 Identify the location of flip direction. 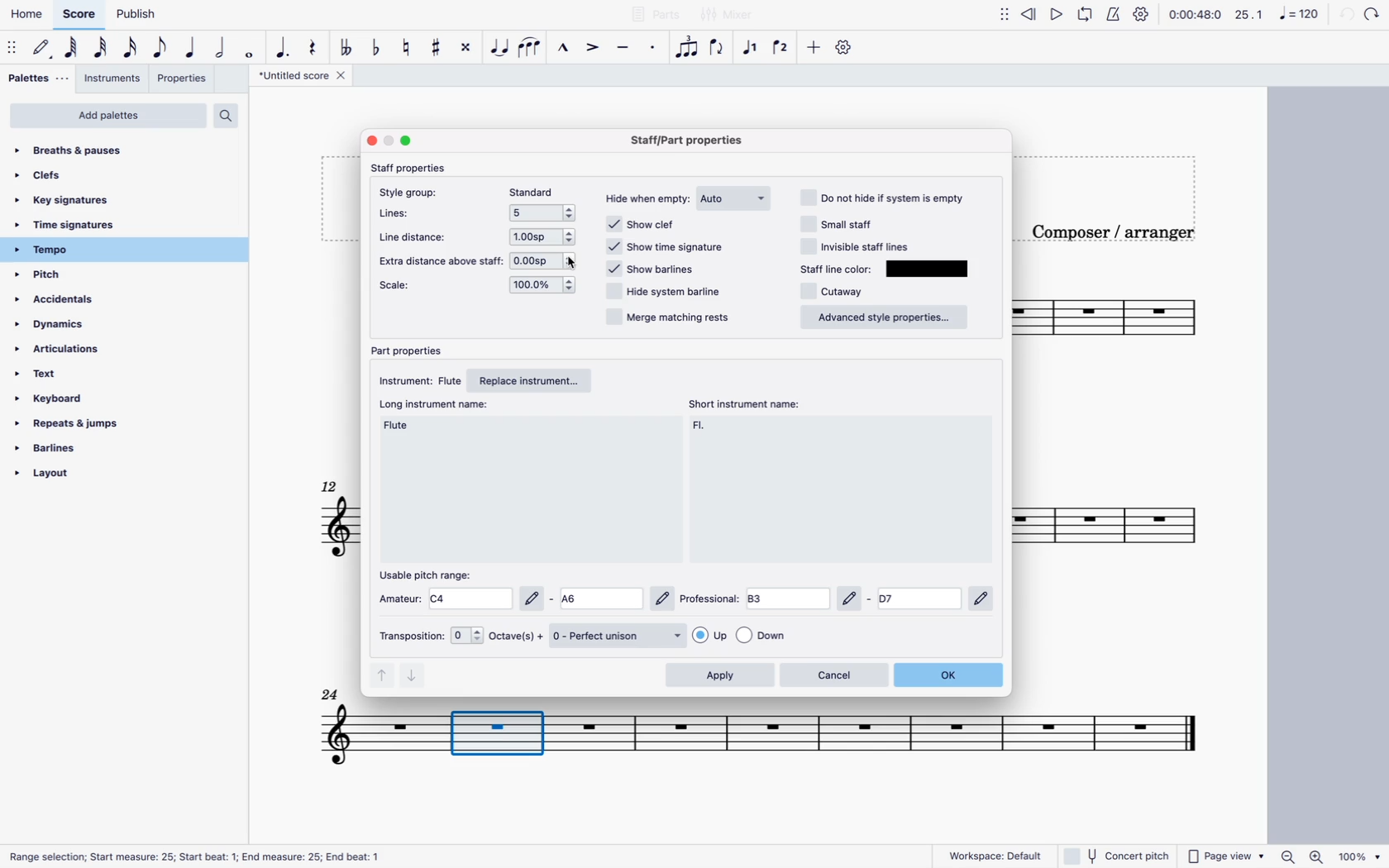
(716, 47).